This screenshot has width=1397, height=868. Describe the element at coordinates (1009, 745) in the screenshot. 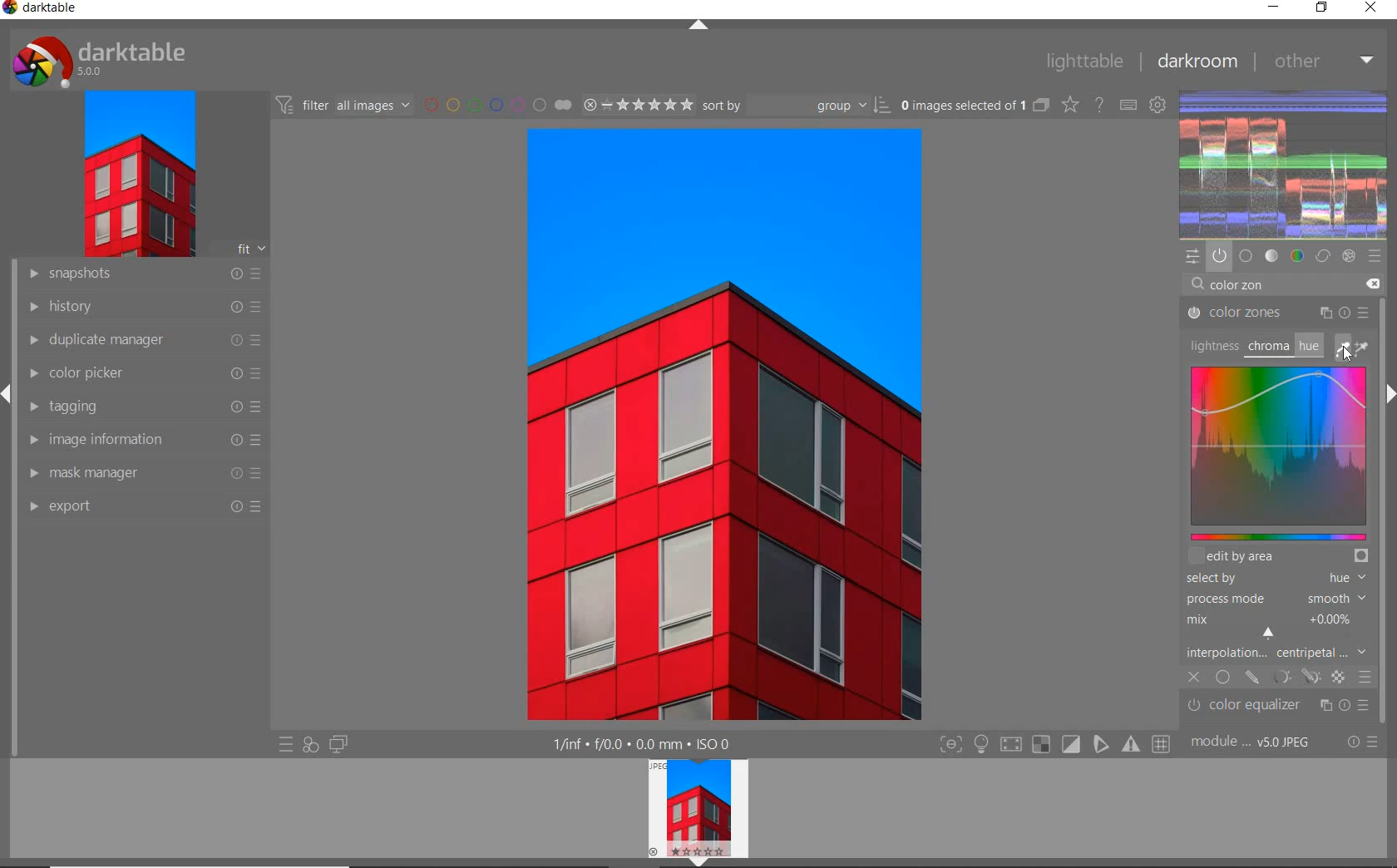

I see `shadow` at that location.